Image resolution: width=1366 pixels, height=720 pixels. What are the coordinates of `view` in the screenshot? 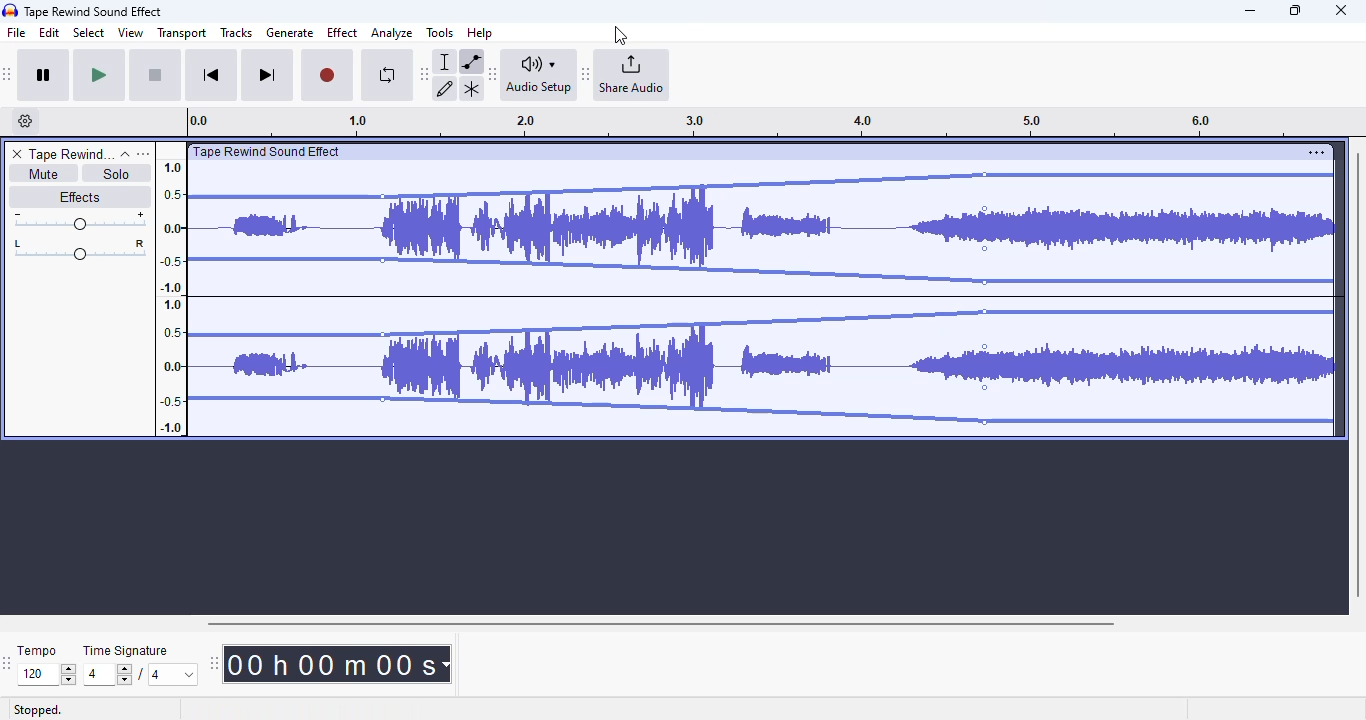 It's located at (131, 33).